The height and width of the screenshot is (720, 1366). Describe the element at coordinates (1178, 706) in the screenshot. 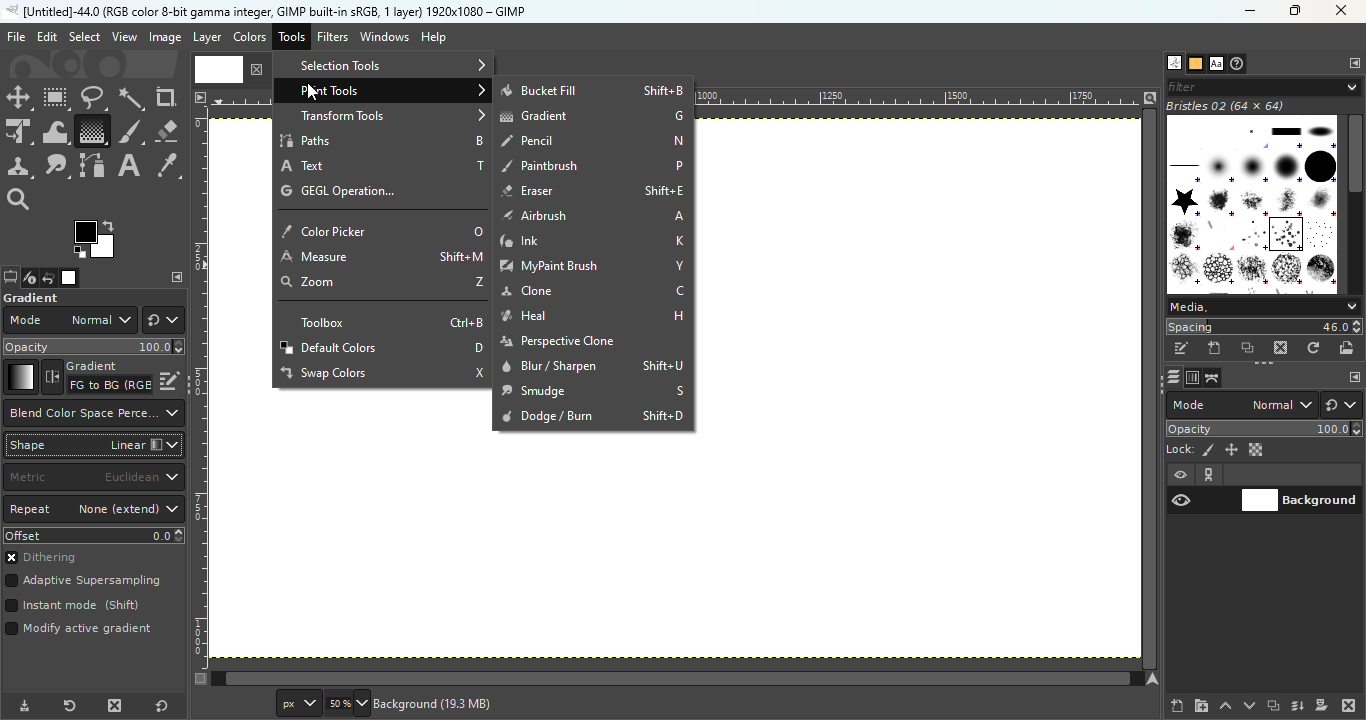

I see `Create a new layer and add it to the image` at that location.